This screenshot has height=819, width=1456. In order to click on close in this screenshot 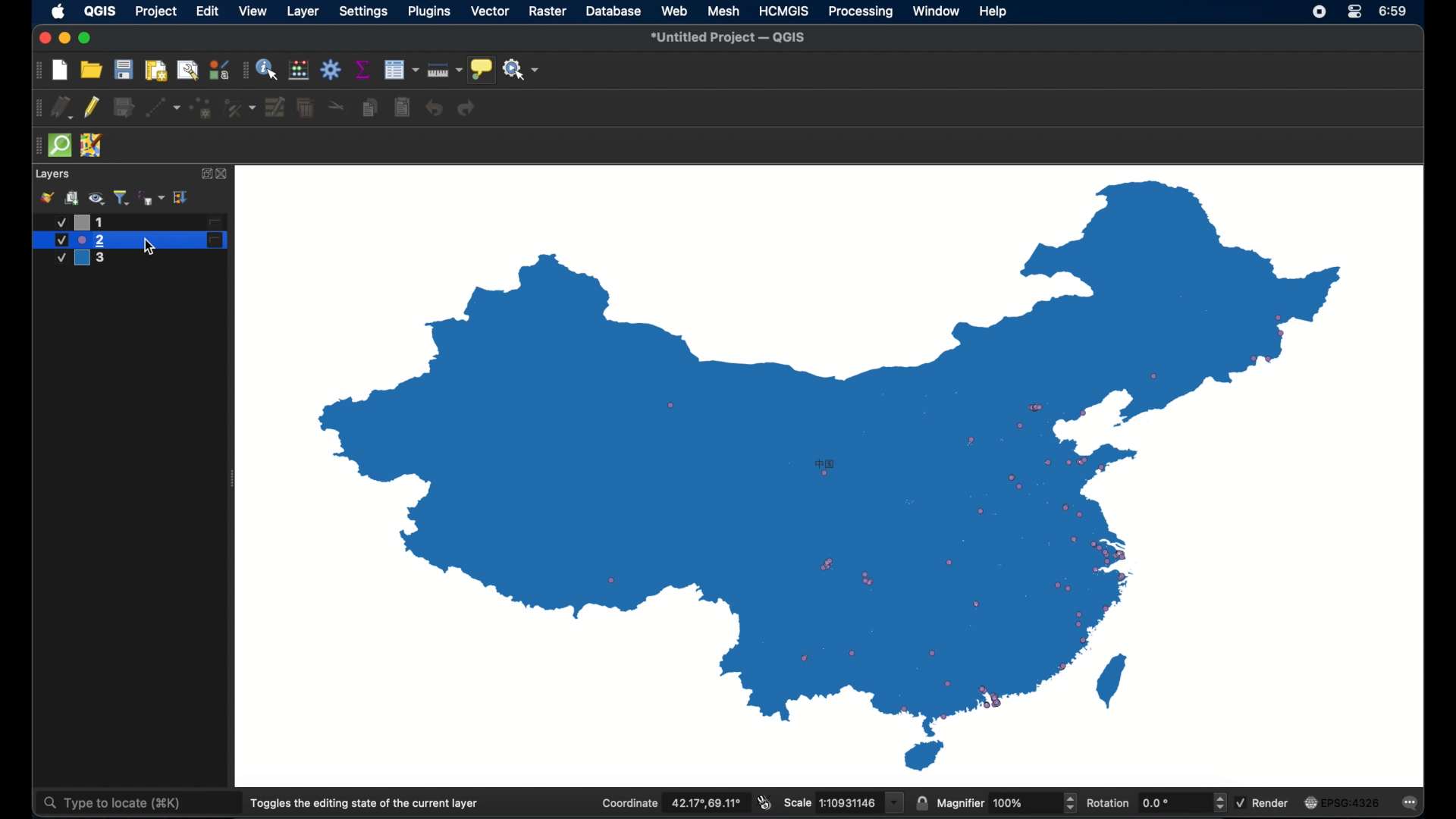, I will do `click(42, 39)`.